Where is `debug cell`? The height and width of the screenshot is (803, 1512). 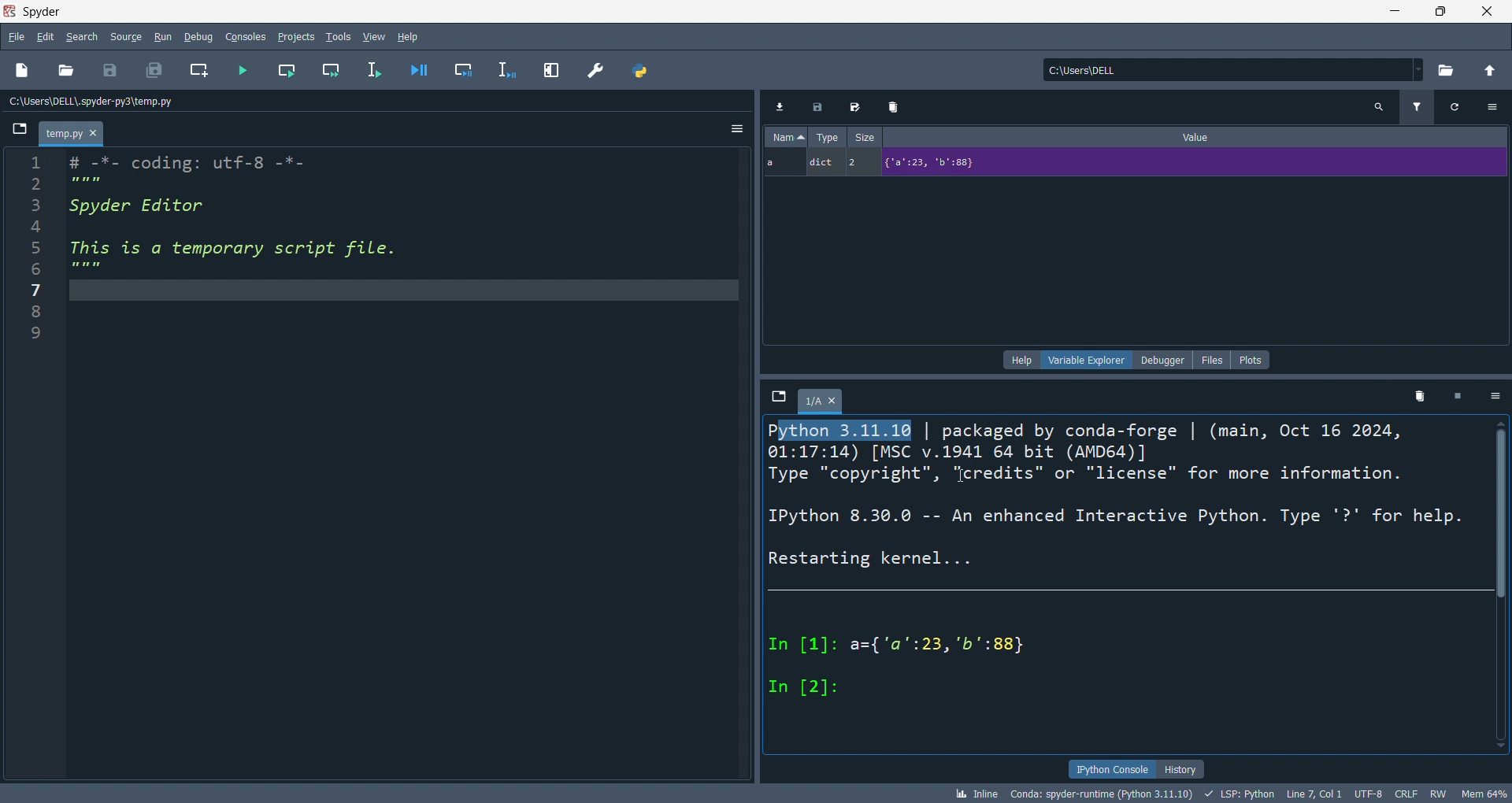
debug cell is located at coordinates (471, 69).